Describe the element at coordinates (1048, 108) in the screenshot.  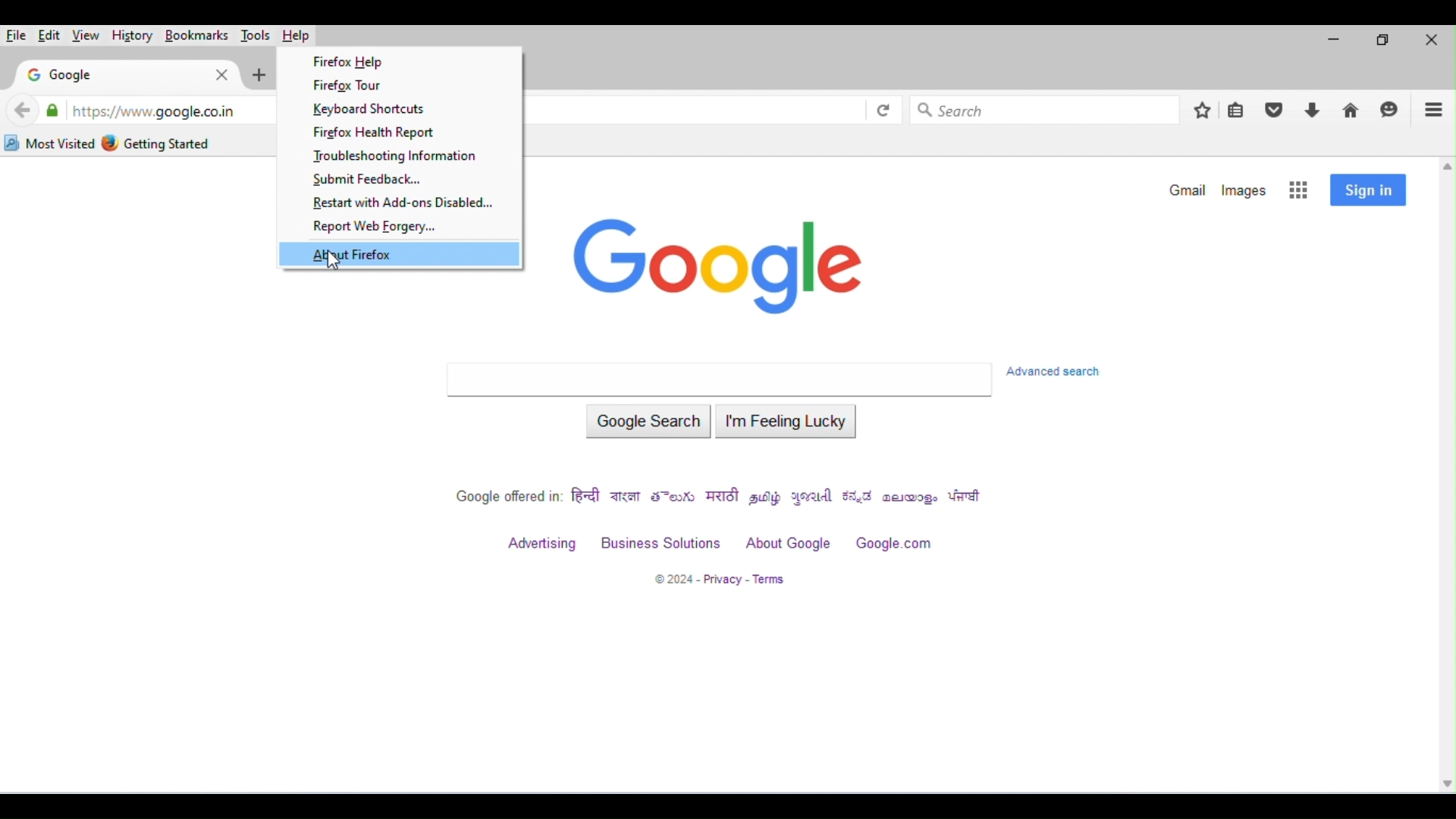
I see `search bar` at that location.